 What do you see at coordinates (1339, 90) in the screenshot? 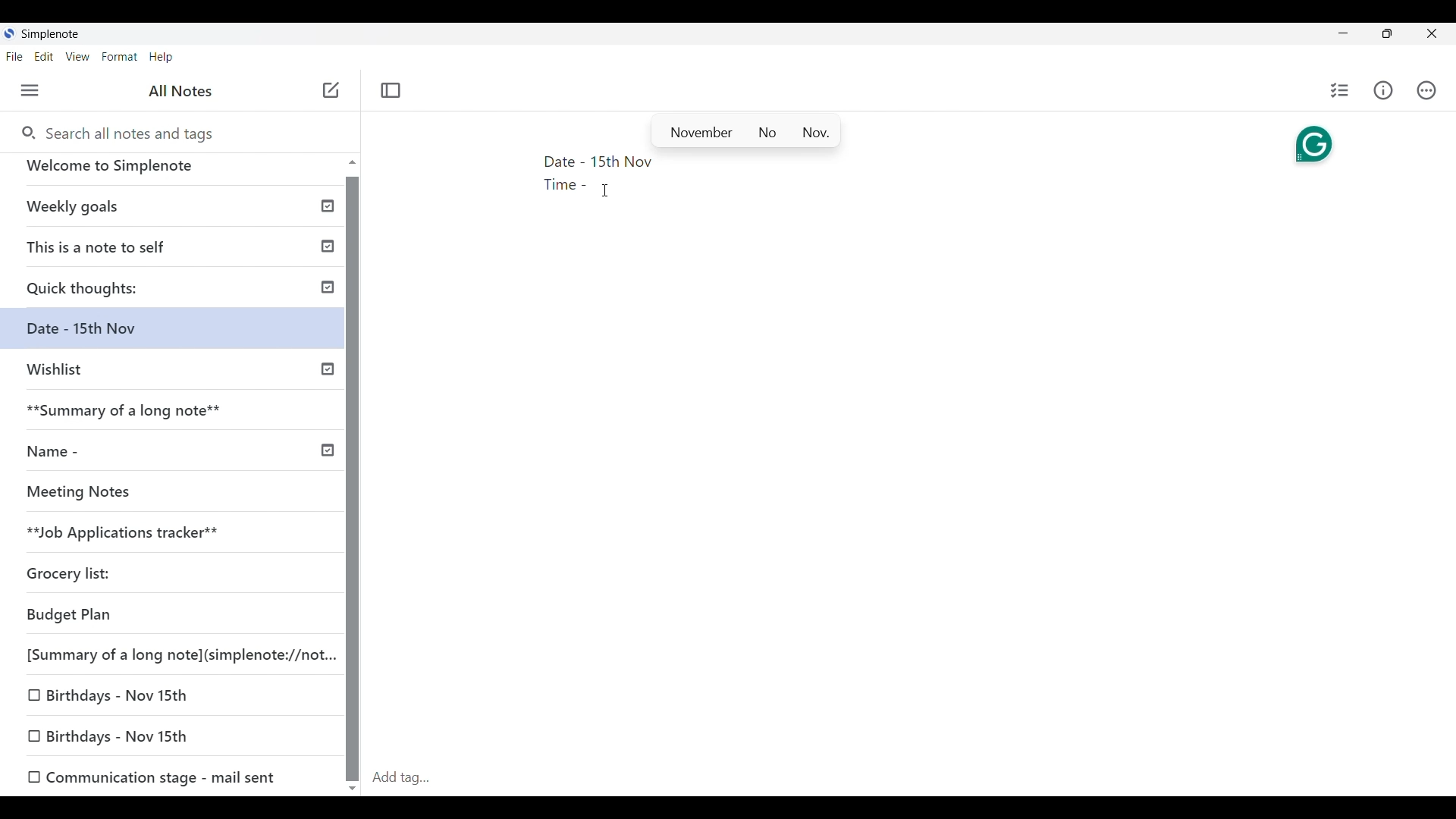
I see `Insert cheklist` at bounding box center [1339, 90].